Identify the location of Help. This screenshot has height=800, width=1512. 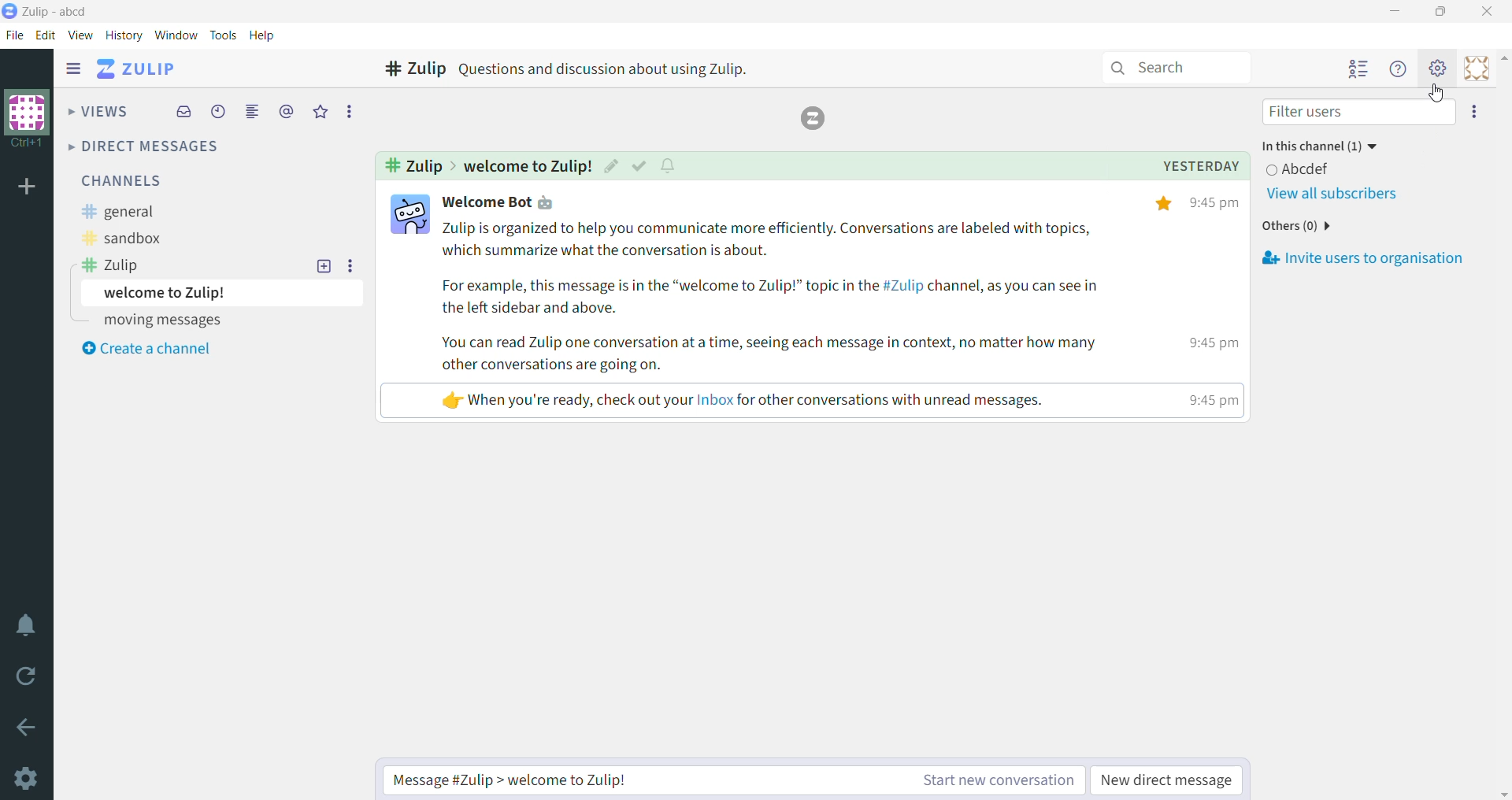
(263, 36).